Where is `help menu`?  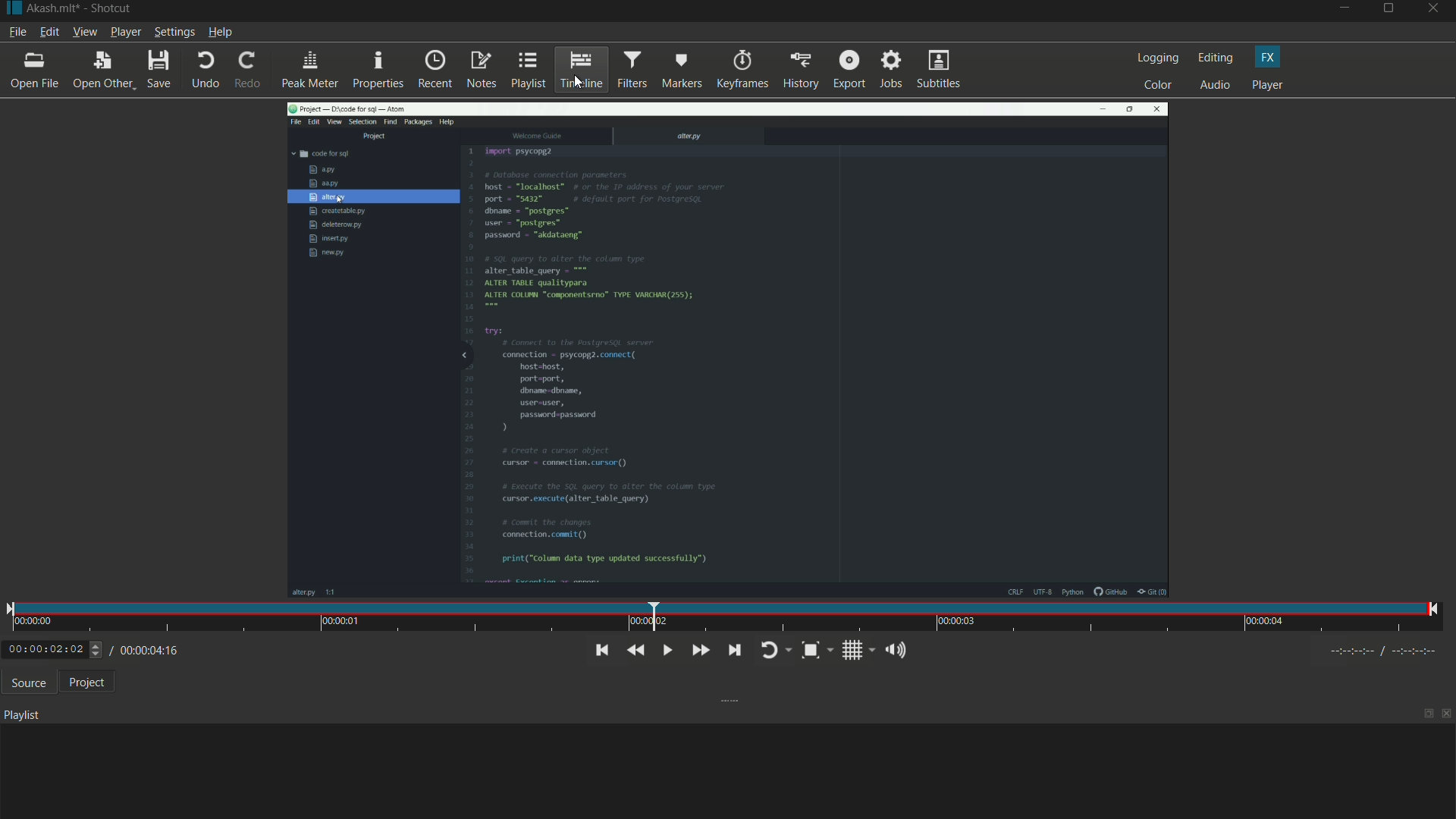 help menu is located at coordinates (221, 32).